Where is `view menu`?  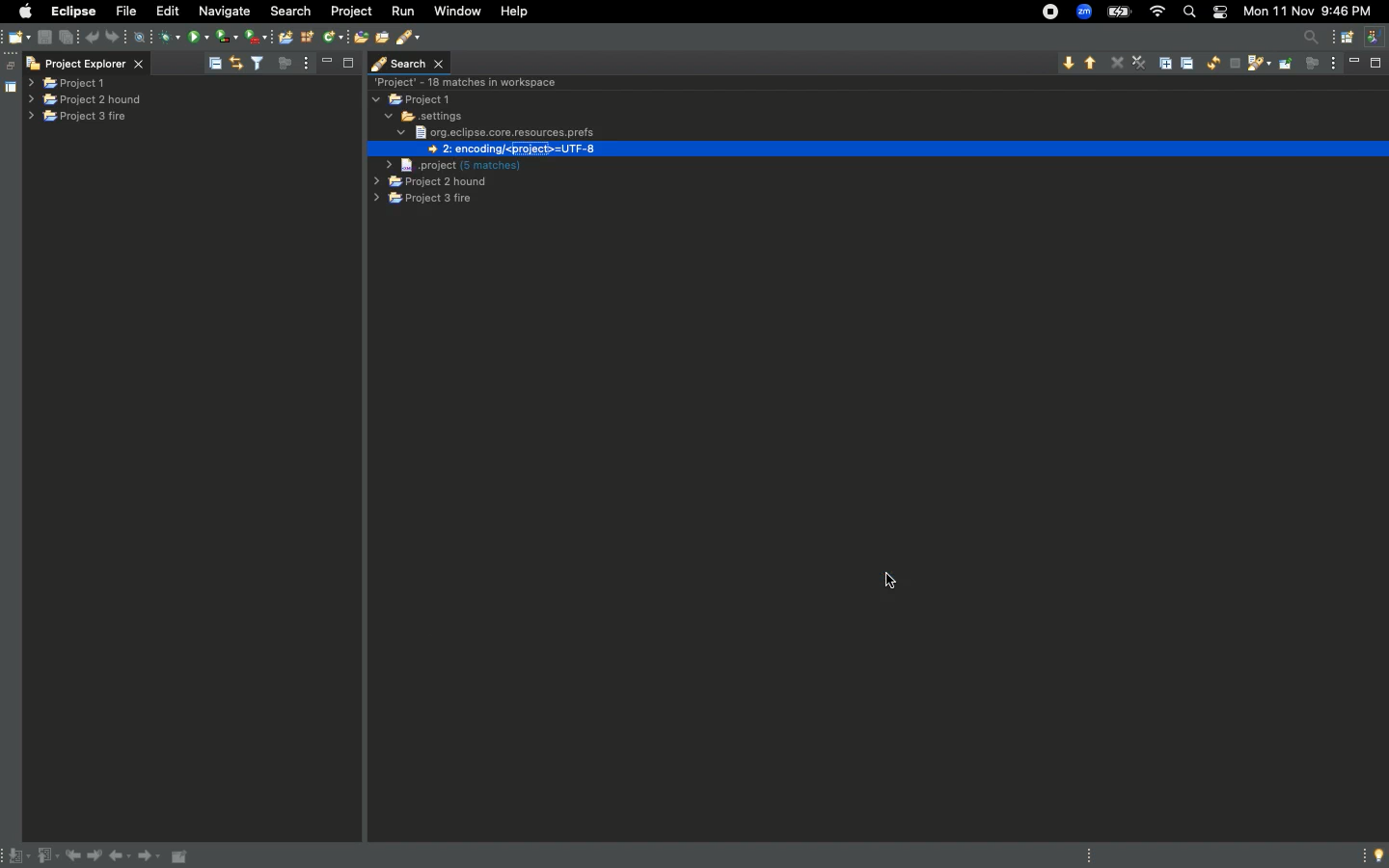
view menu is located at coordinates (310, 63).